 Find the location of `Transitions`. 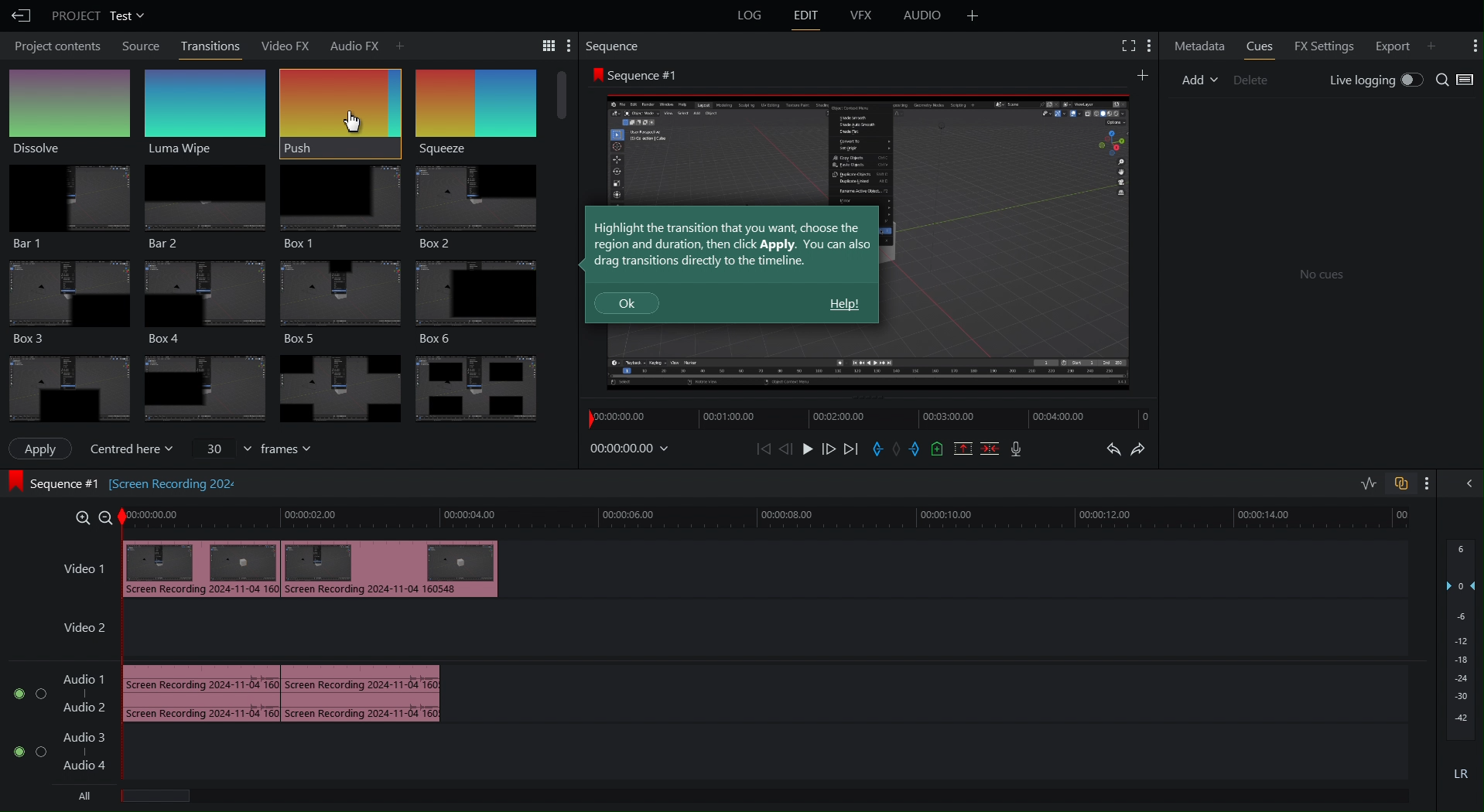

Transitions is located at coordinates (275, 389).